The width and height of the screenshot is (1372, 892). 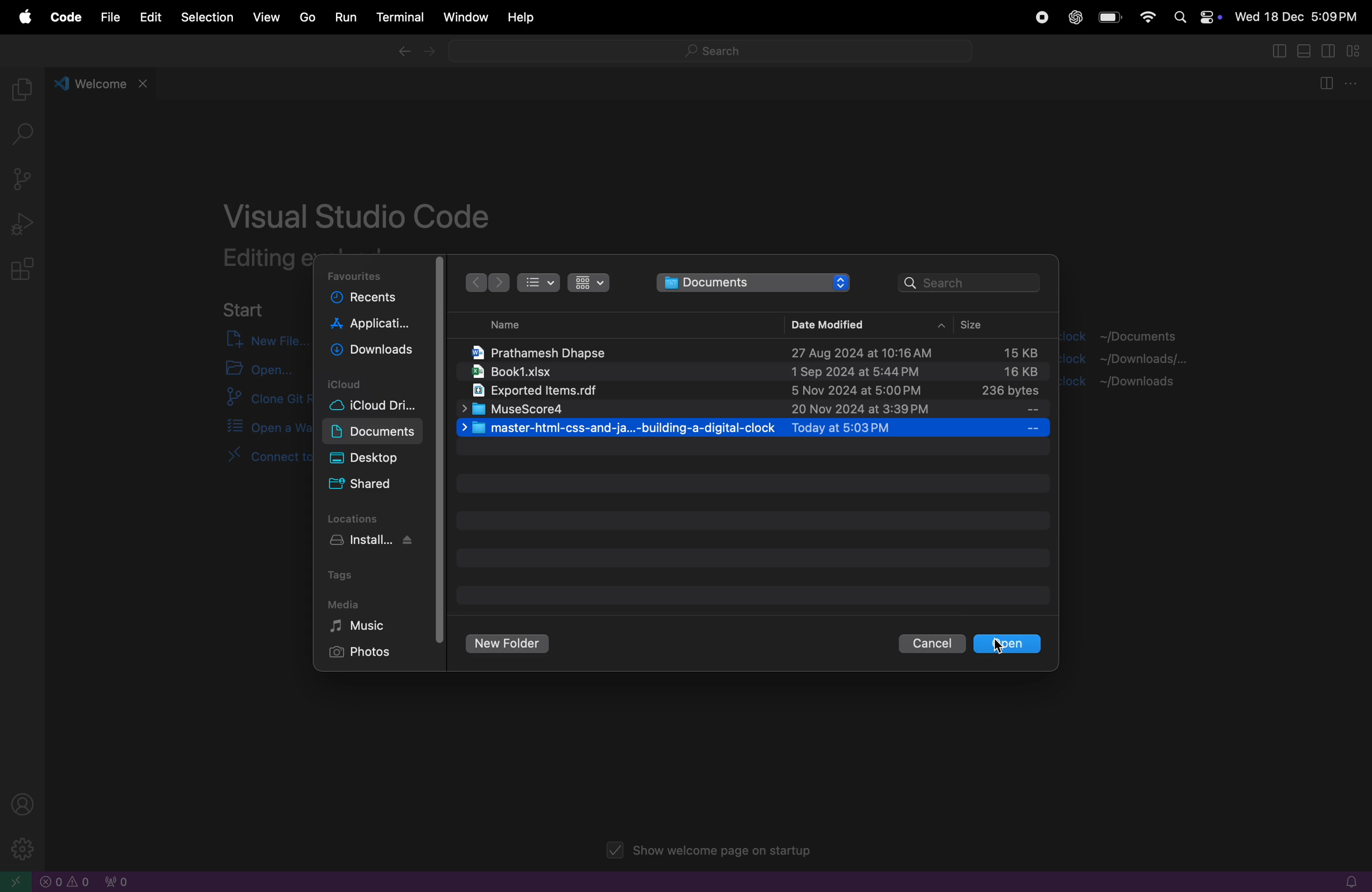 I want to click on search bar, so click(x=708, y=54).